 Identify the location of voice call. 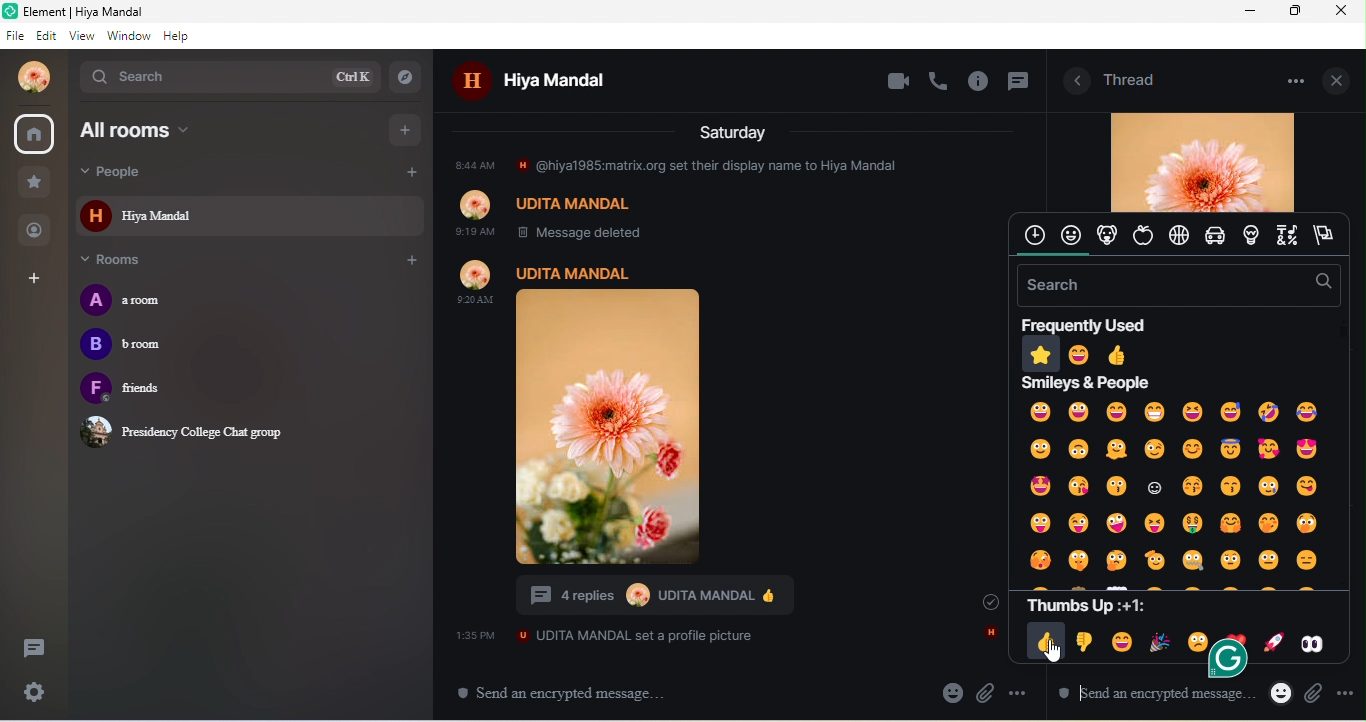
(940, 80).